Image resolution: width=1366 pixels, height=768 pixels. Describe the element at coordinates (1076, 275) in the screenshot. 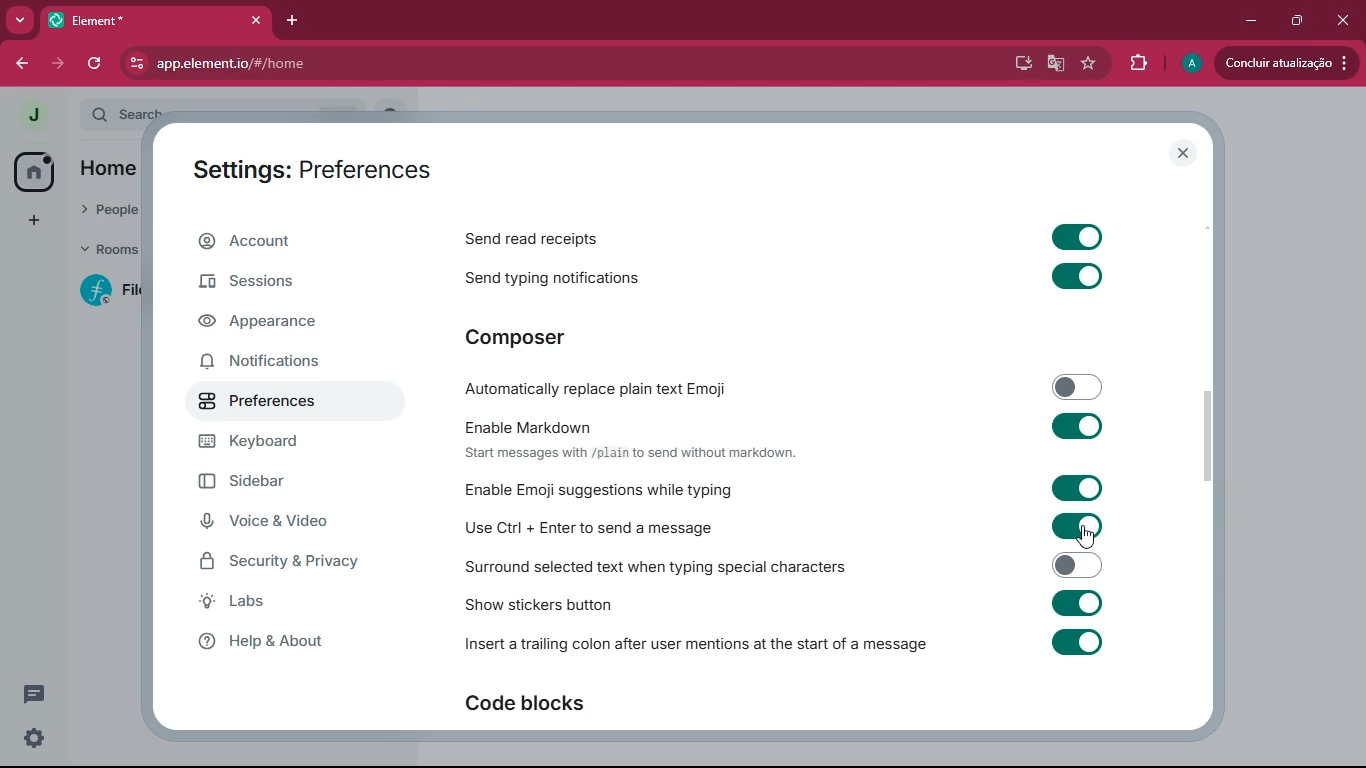

I see `toggle on or off` at that location.